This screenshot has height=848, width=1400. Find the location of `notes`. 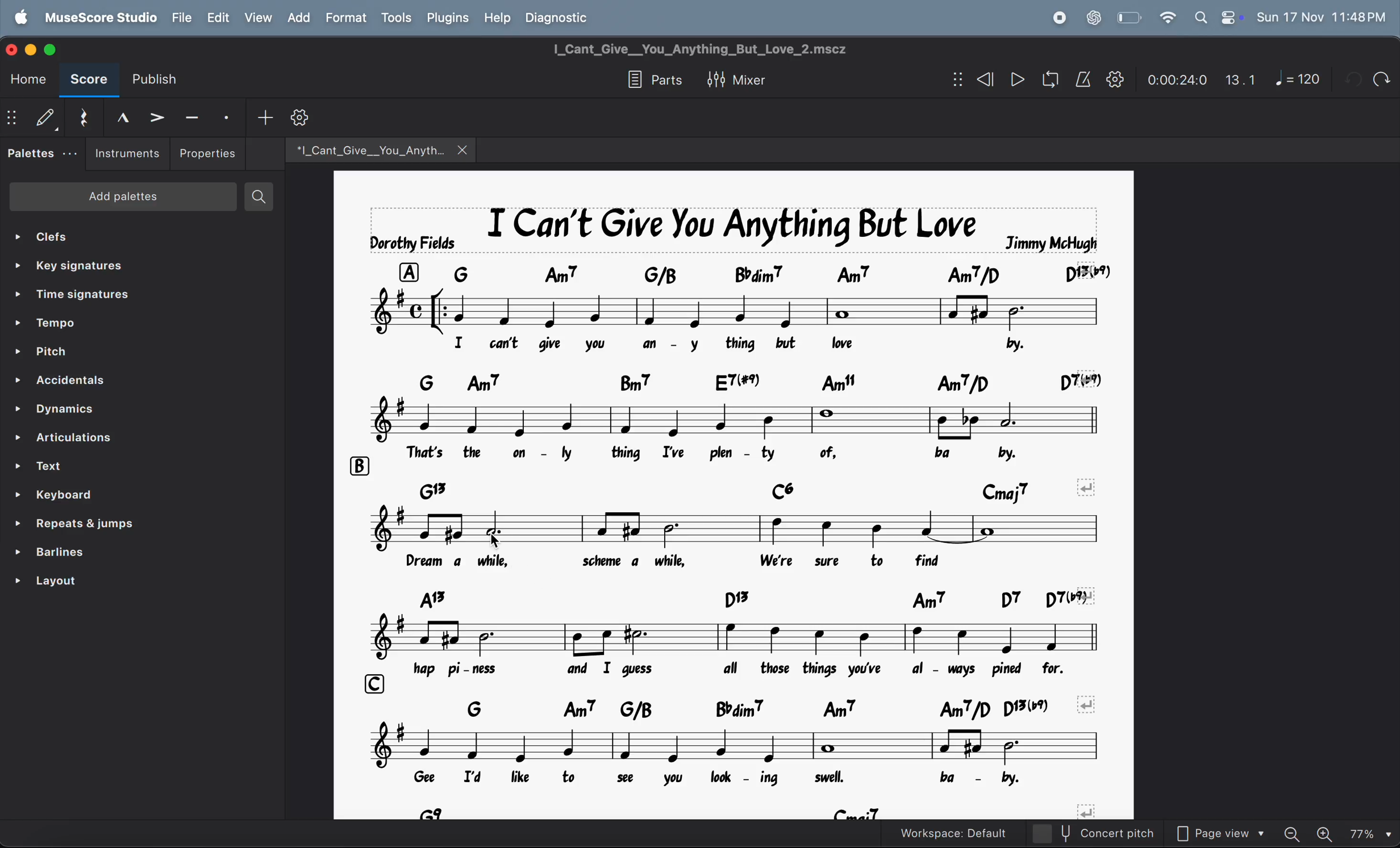

notes is located at coordinates (735, 638).